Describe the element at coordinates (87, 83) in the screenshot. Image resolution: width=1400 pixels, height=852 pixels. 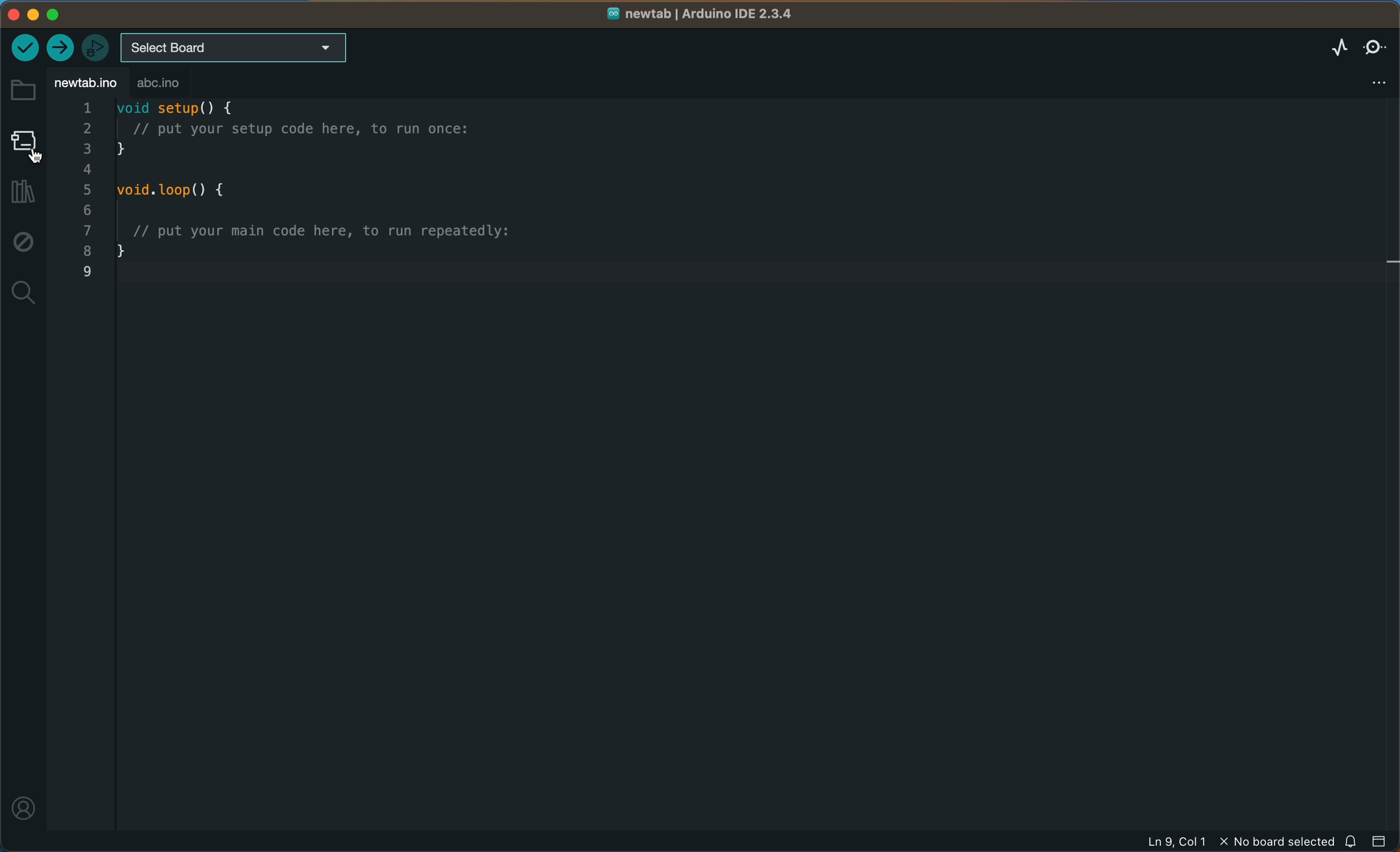
I see `file tab` at that location.